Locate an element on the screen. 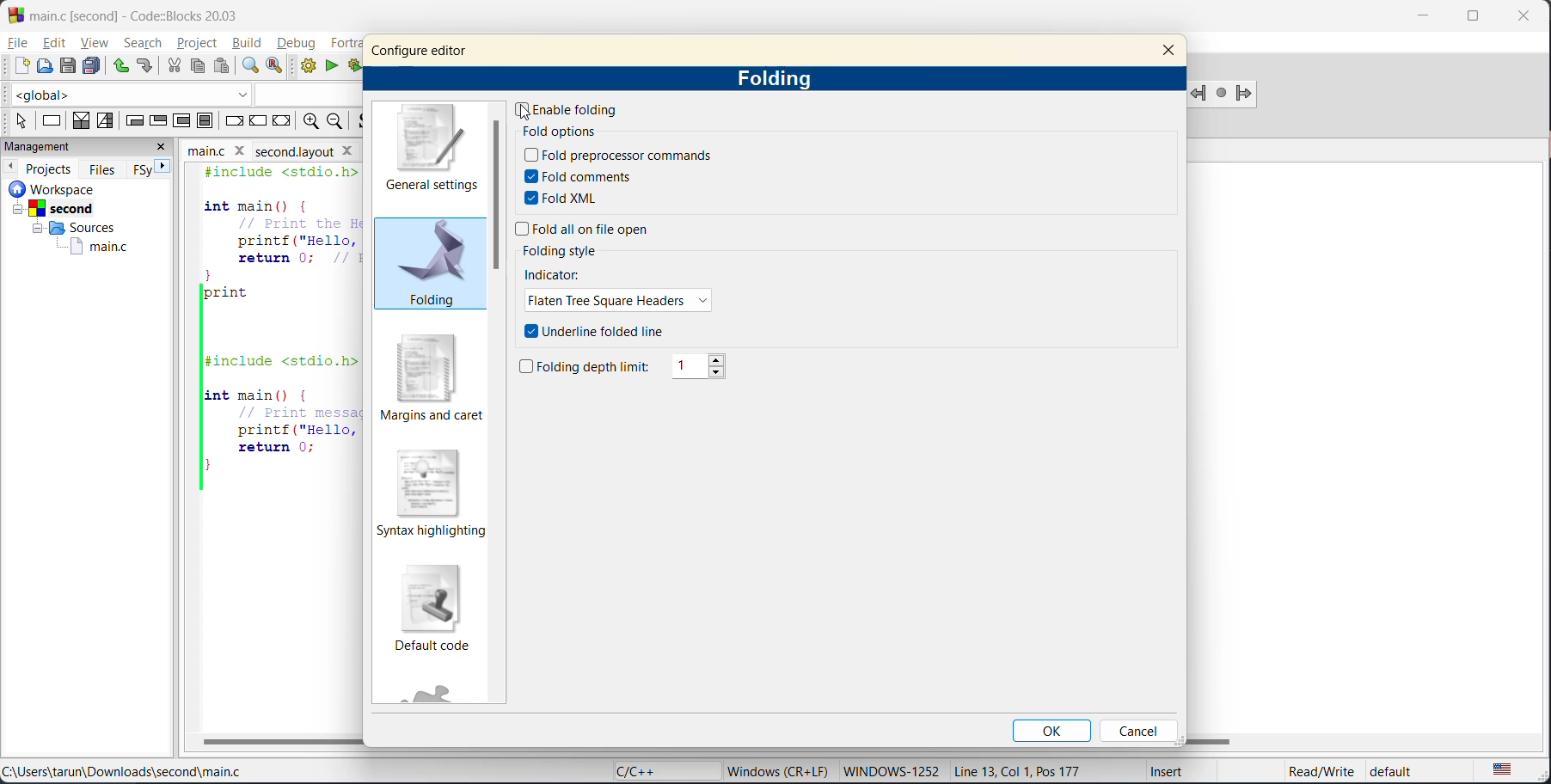  margins and caret is located at coordinates (431, 378).